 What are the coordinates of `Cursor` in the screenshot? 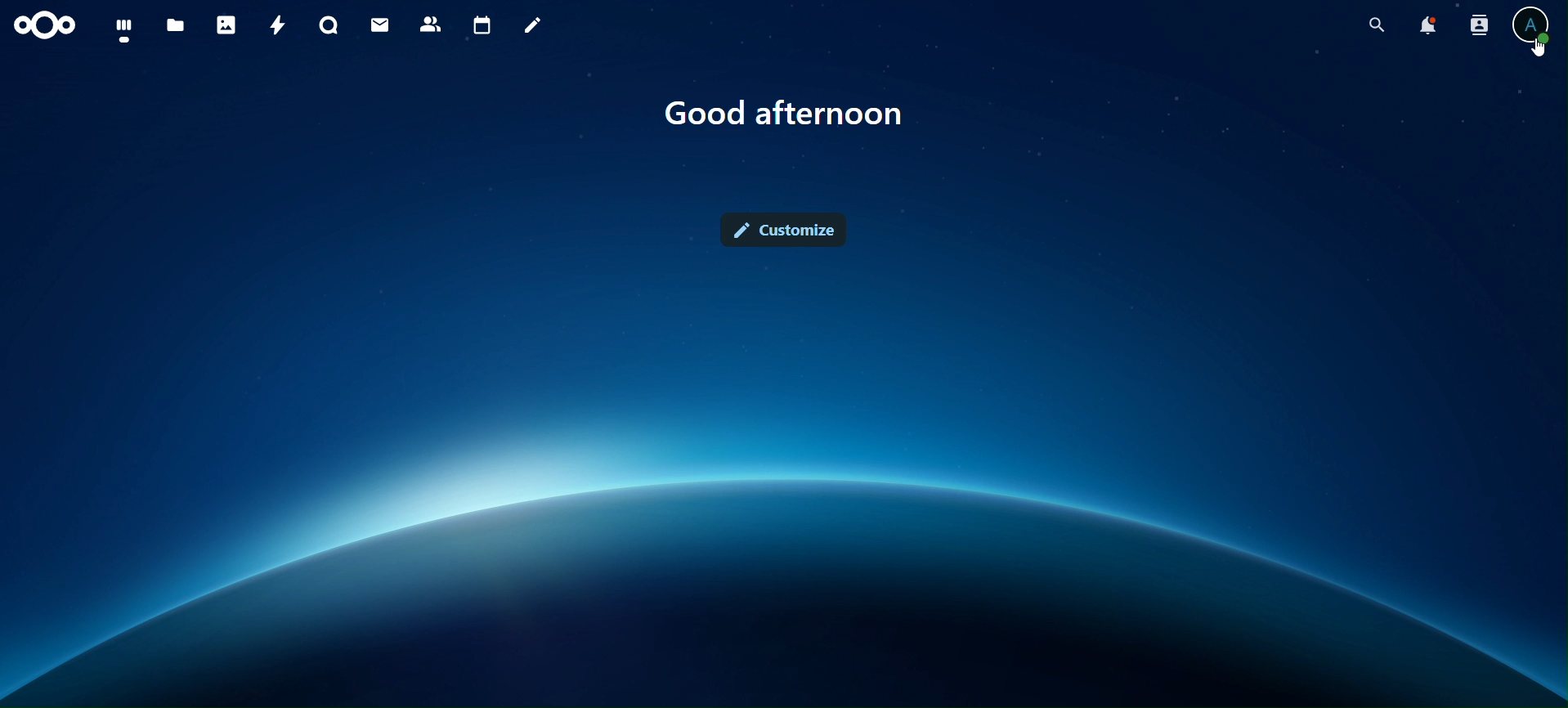 It's located at (1540, 51).